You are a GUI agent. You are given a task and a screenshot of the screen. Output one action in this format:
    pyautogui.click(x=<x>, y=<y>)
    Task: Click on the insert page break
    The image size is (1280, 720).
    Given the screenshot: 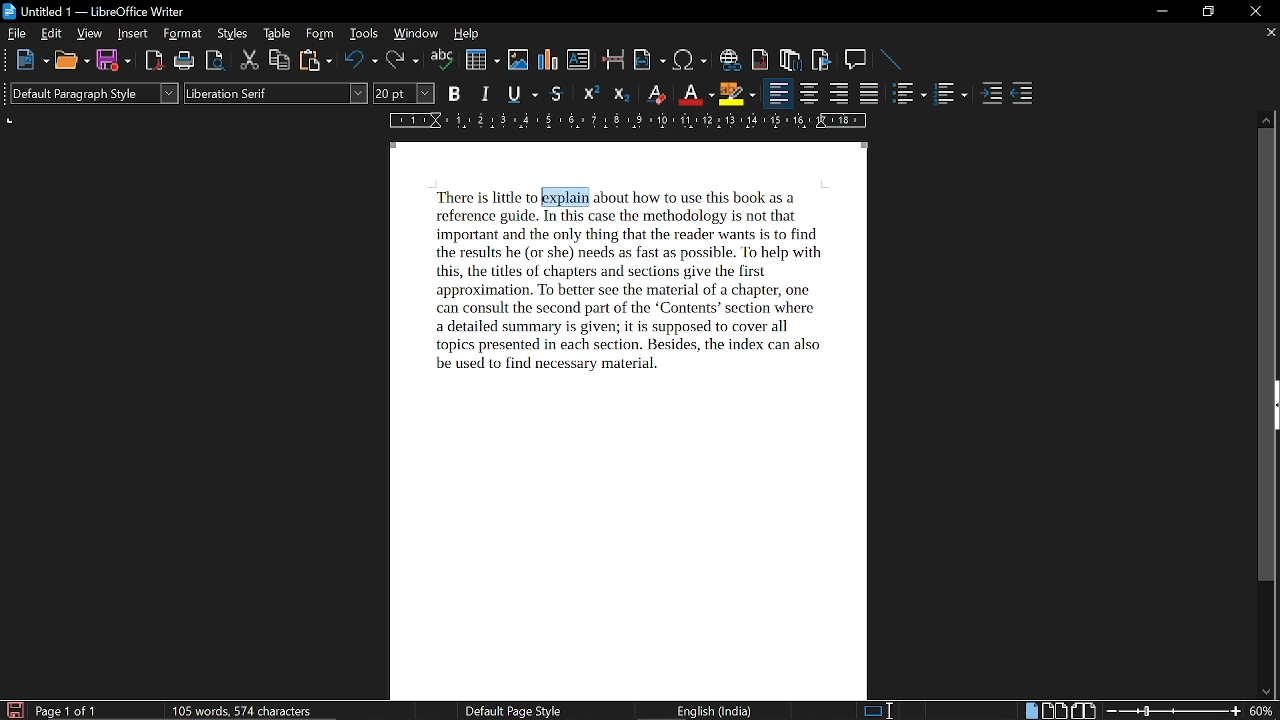 What is the action you would take?
    pyautogui.click(x=614, y=61)
    